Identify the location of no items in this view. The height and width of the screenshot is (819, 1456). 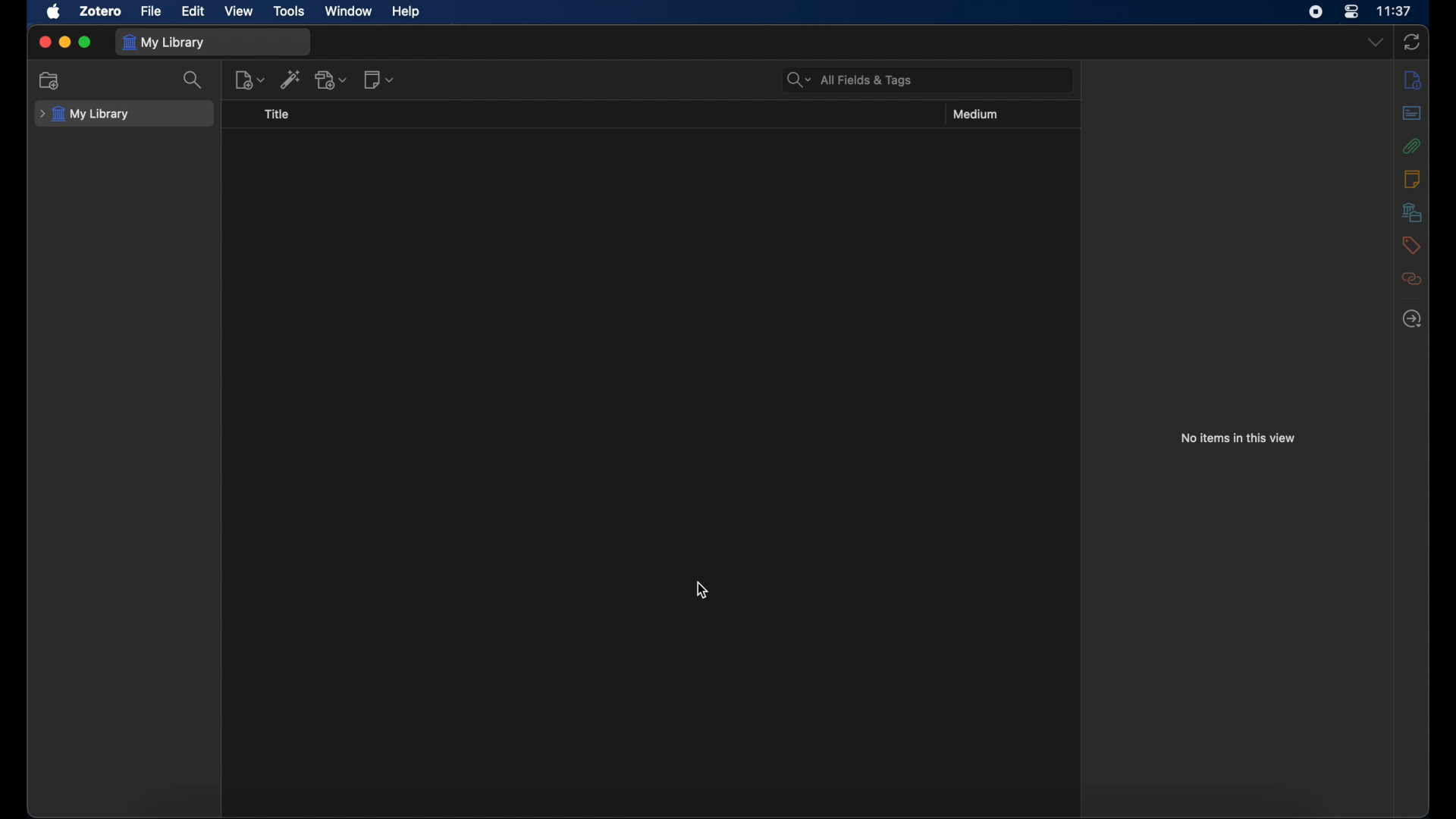
(1238, 437).